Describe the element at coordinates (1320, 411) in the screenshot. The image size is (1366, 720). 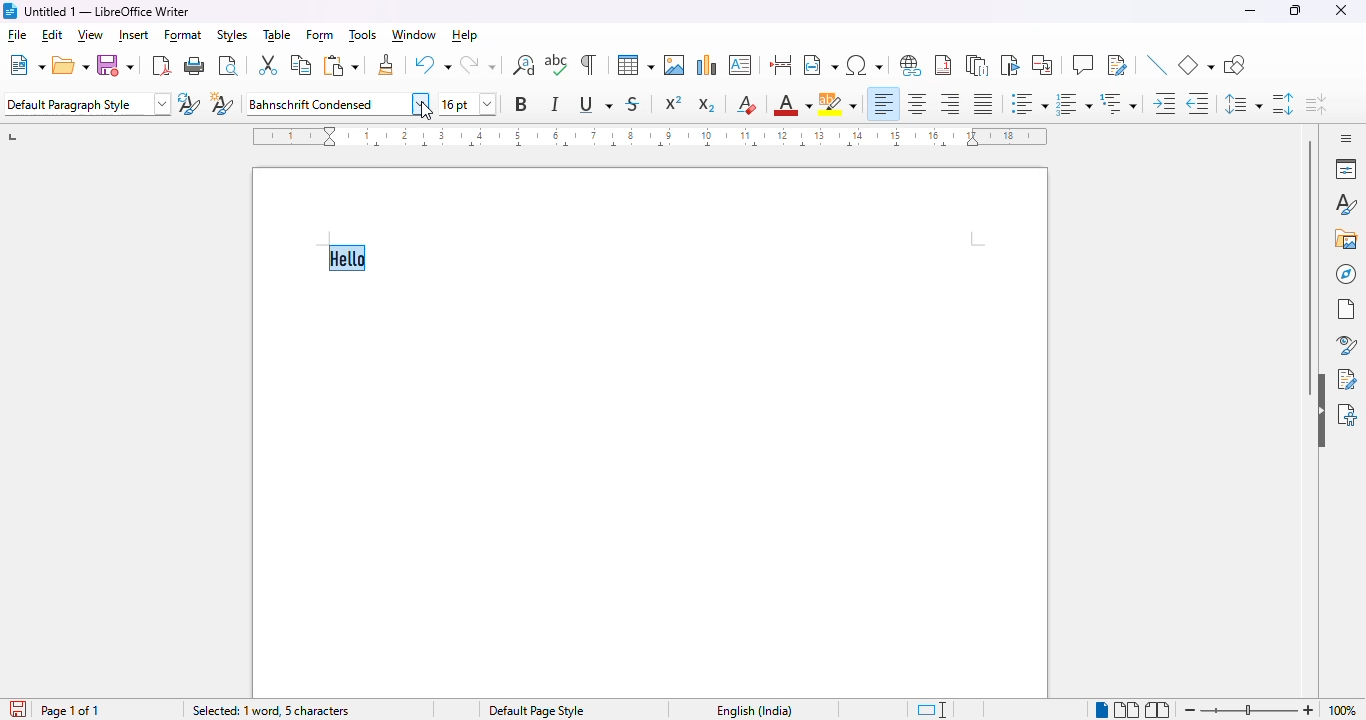
I see `hide` at that location.